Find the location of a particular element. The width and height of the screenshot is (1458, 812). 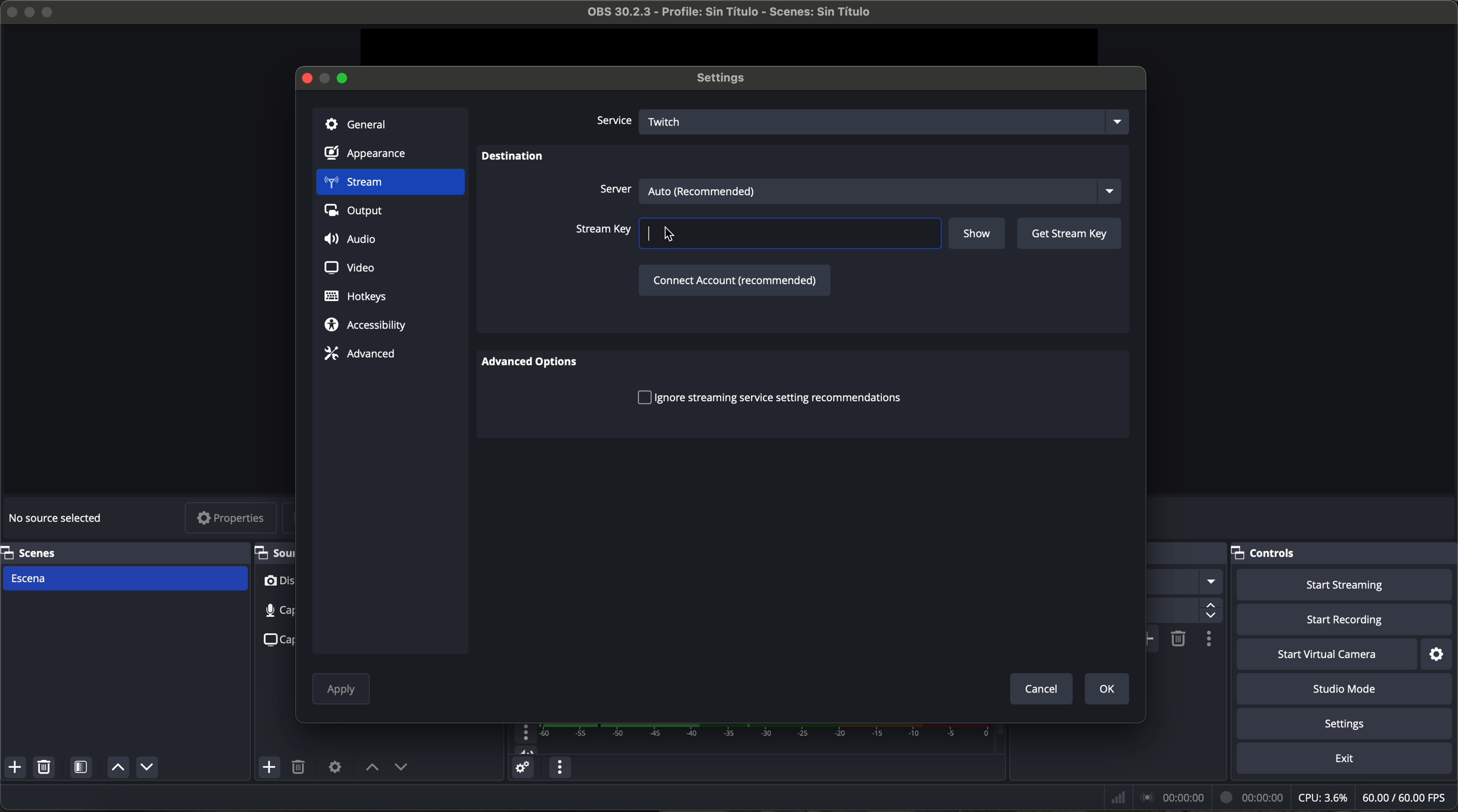

move source up is located at coordinates (116, 768).